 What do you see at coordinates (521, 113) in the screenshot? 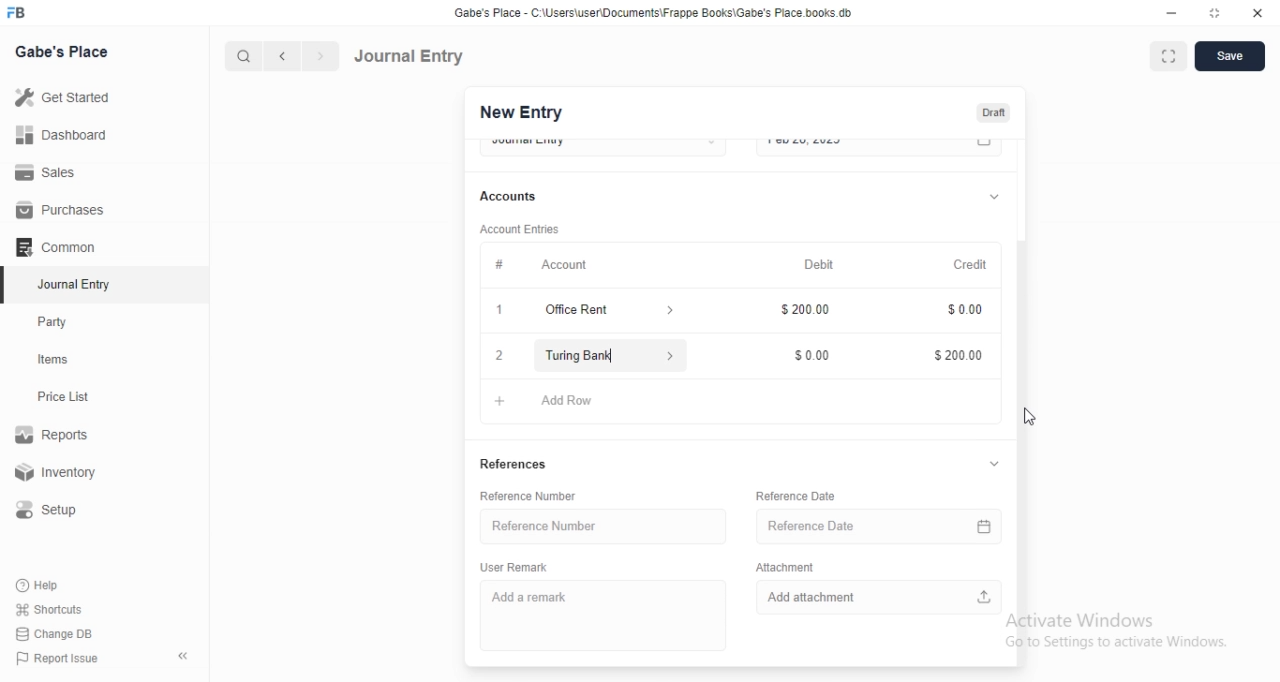
I see `New Entry` at bounding box center [521, 113].